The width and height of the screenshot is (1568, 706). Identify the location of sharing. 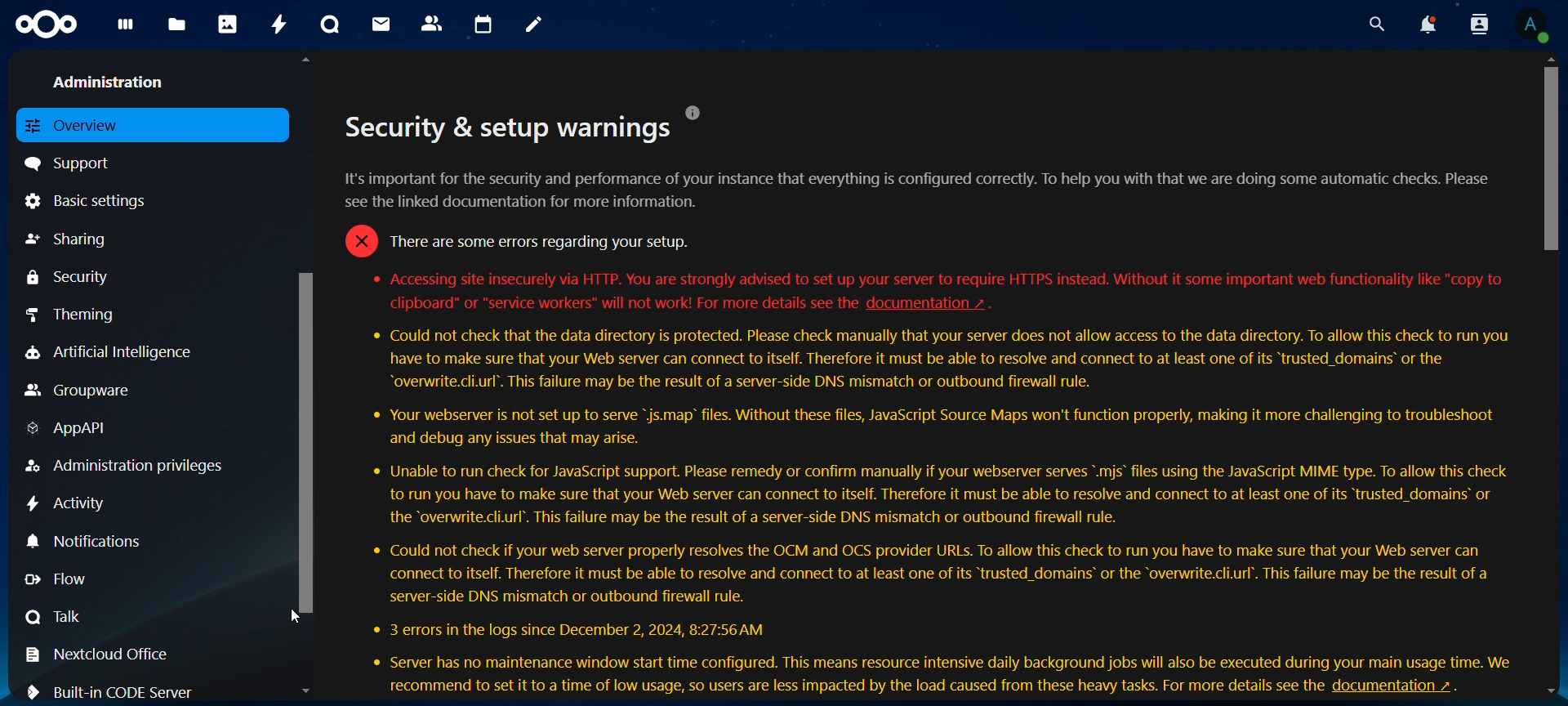
(69, 239).